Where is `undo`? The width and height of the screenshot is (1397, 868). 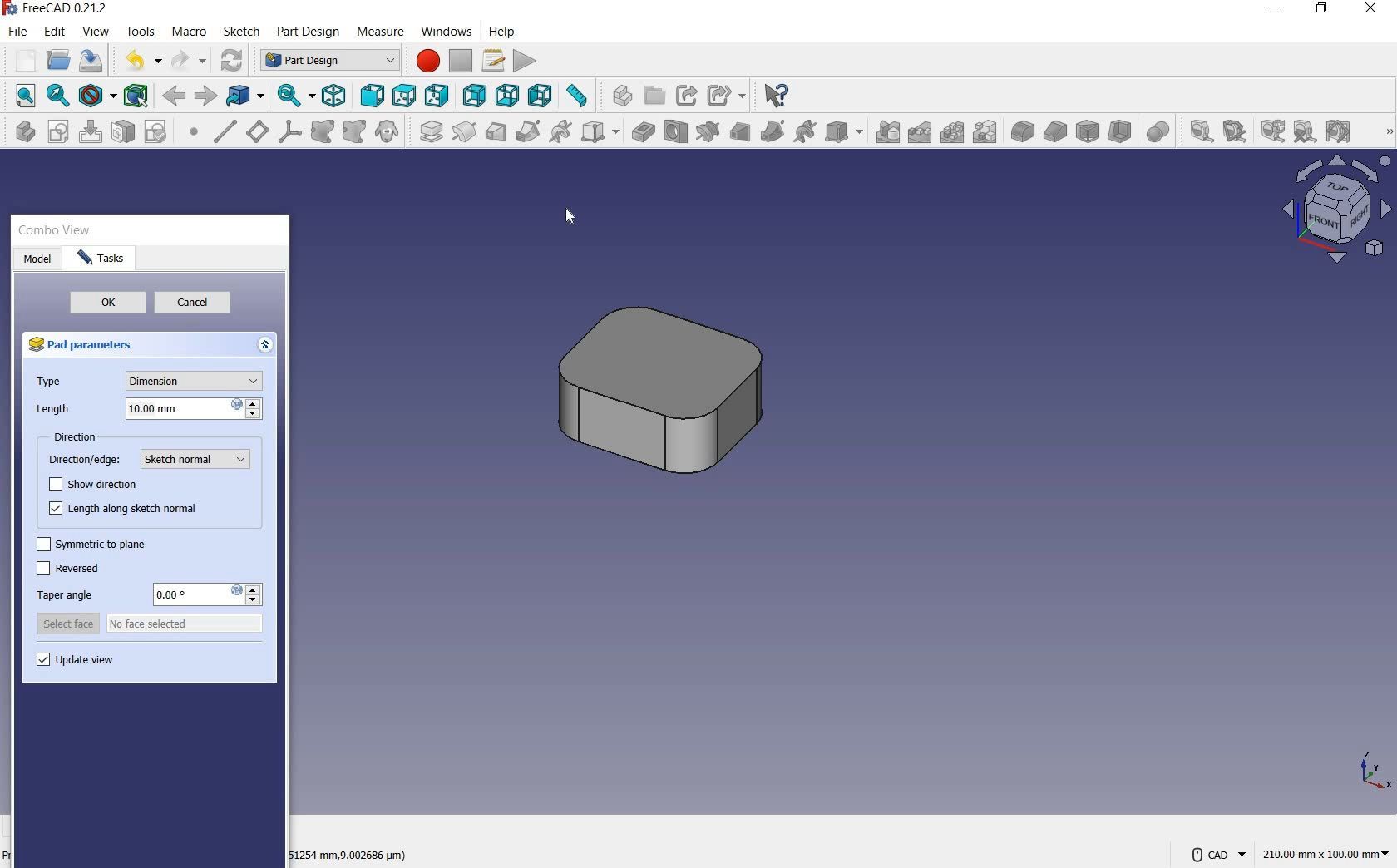
undo is located at coordinates (142, 61).